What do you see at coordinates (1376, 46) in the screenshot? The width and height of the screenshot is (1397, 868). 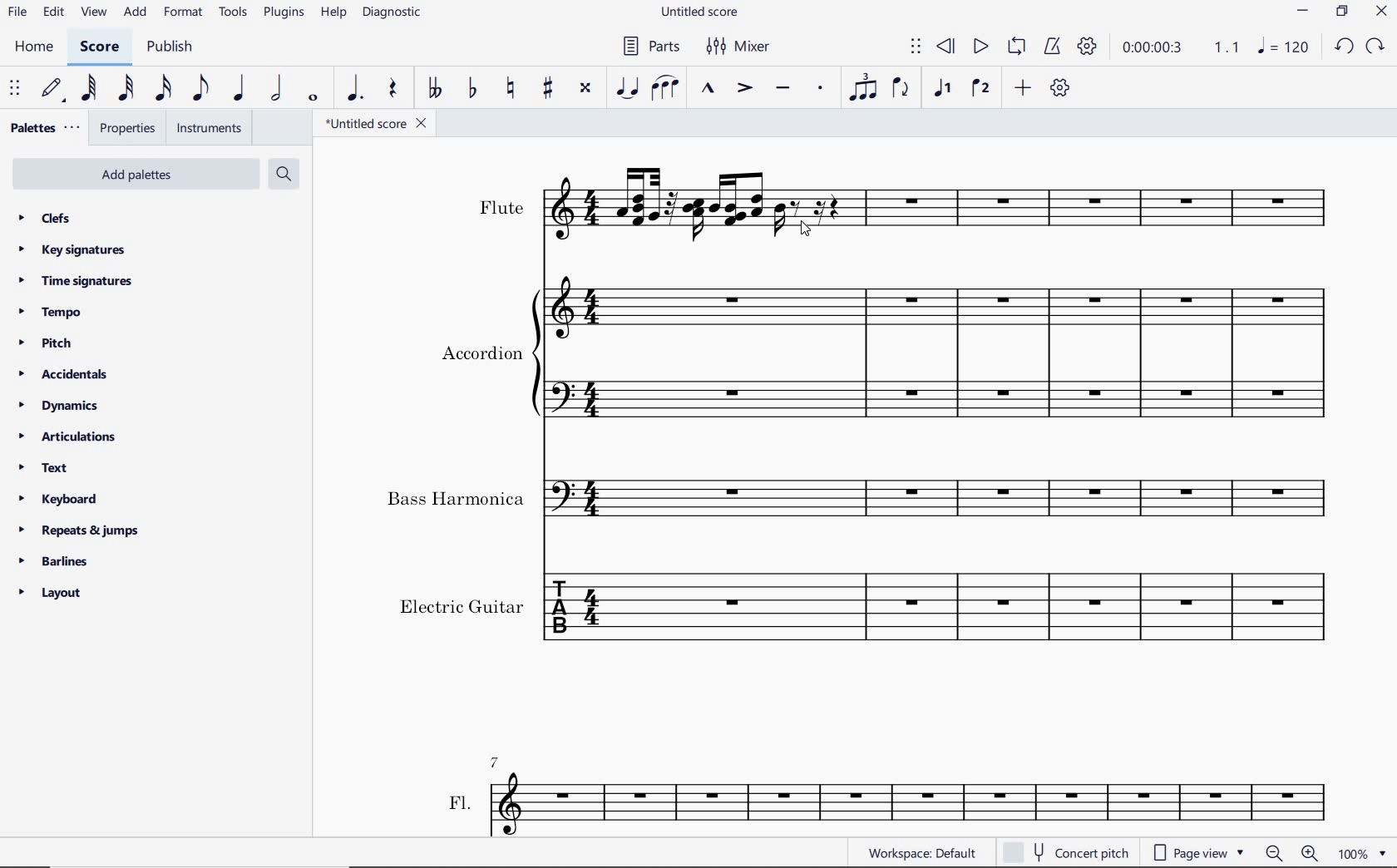 I see `REDO` at bounding box center [1376, 46].